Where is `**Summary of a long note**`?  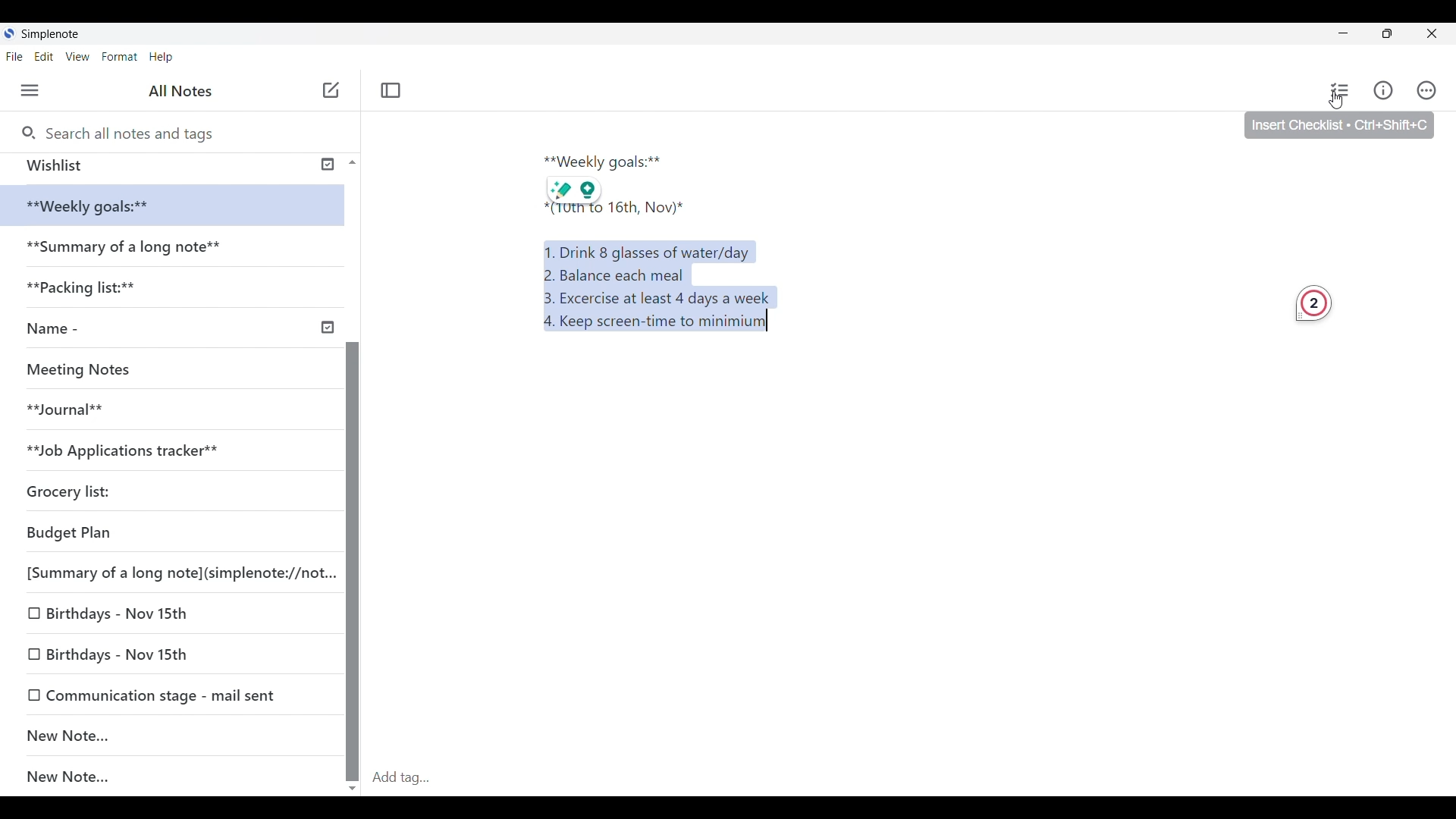
**Summary of a long note** is located at coordinates (128, 249).